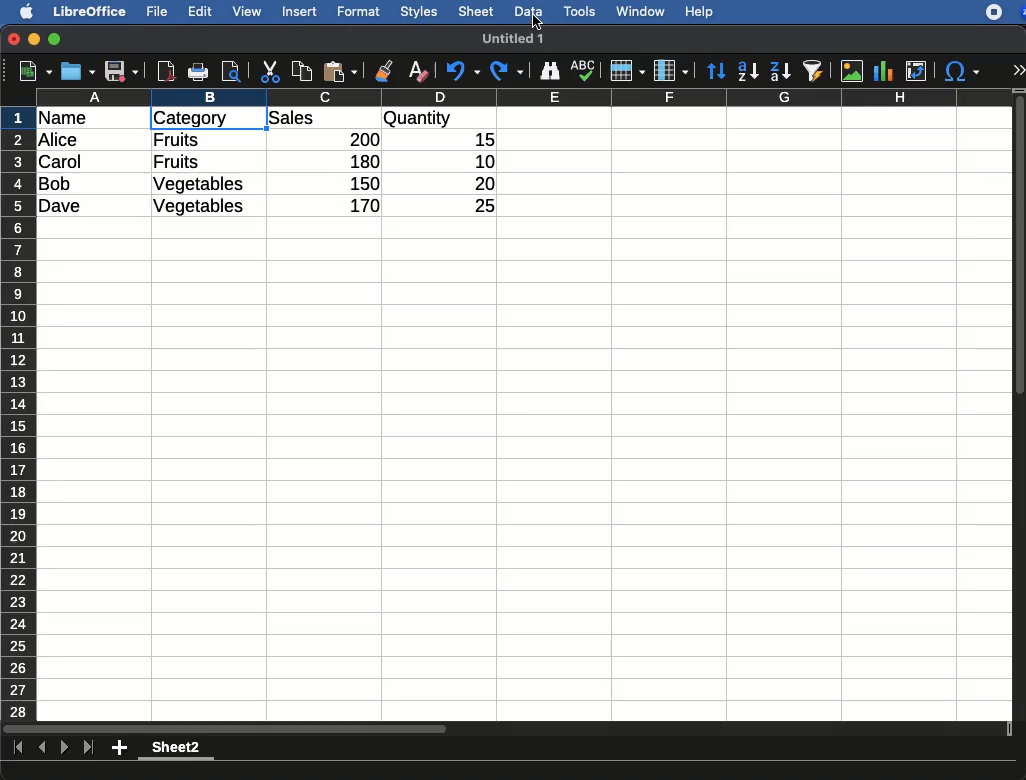 Image resolution: width=1026 pixels, height=780 pixels. I want to click on autofilter, so click(814, 70).